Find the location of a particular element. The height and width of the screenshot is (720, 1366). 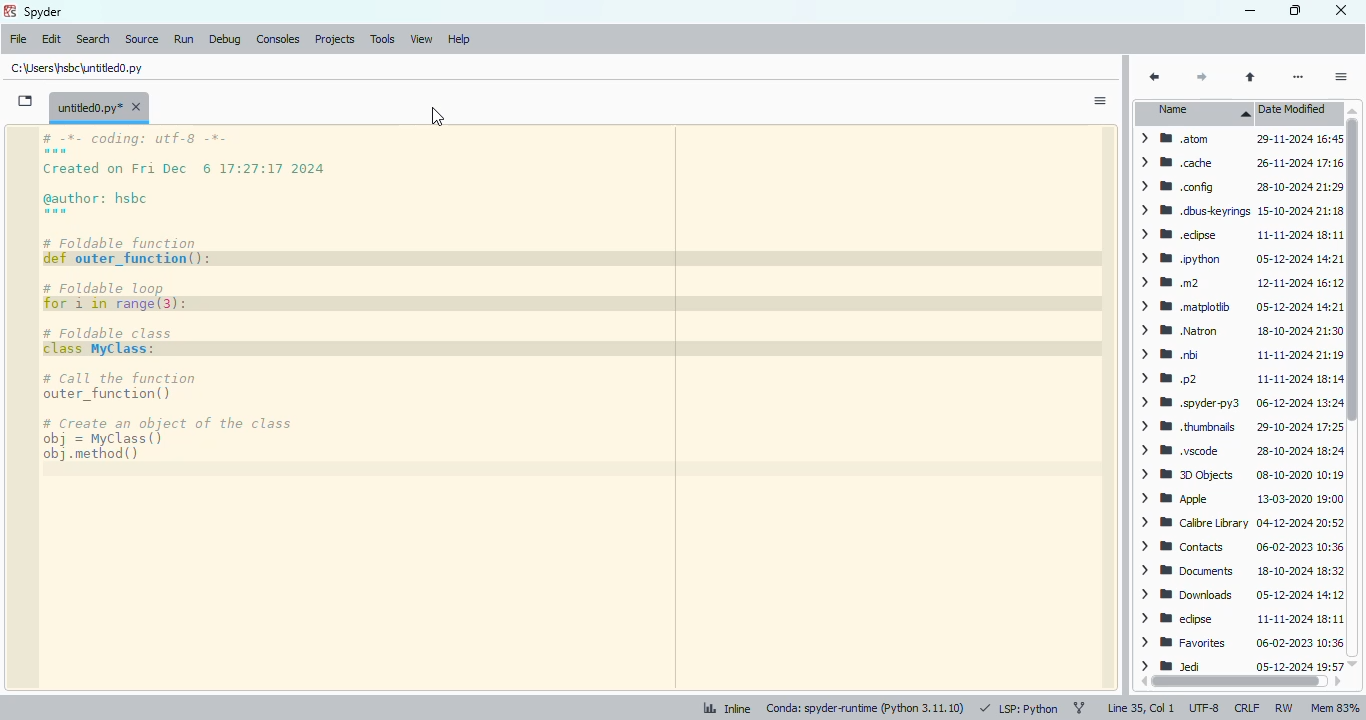

minimize is located at coordinates (1251, 11).